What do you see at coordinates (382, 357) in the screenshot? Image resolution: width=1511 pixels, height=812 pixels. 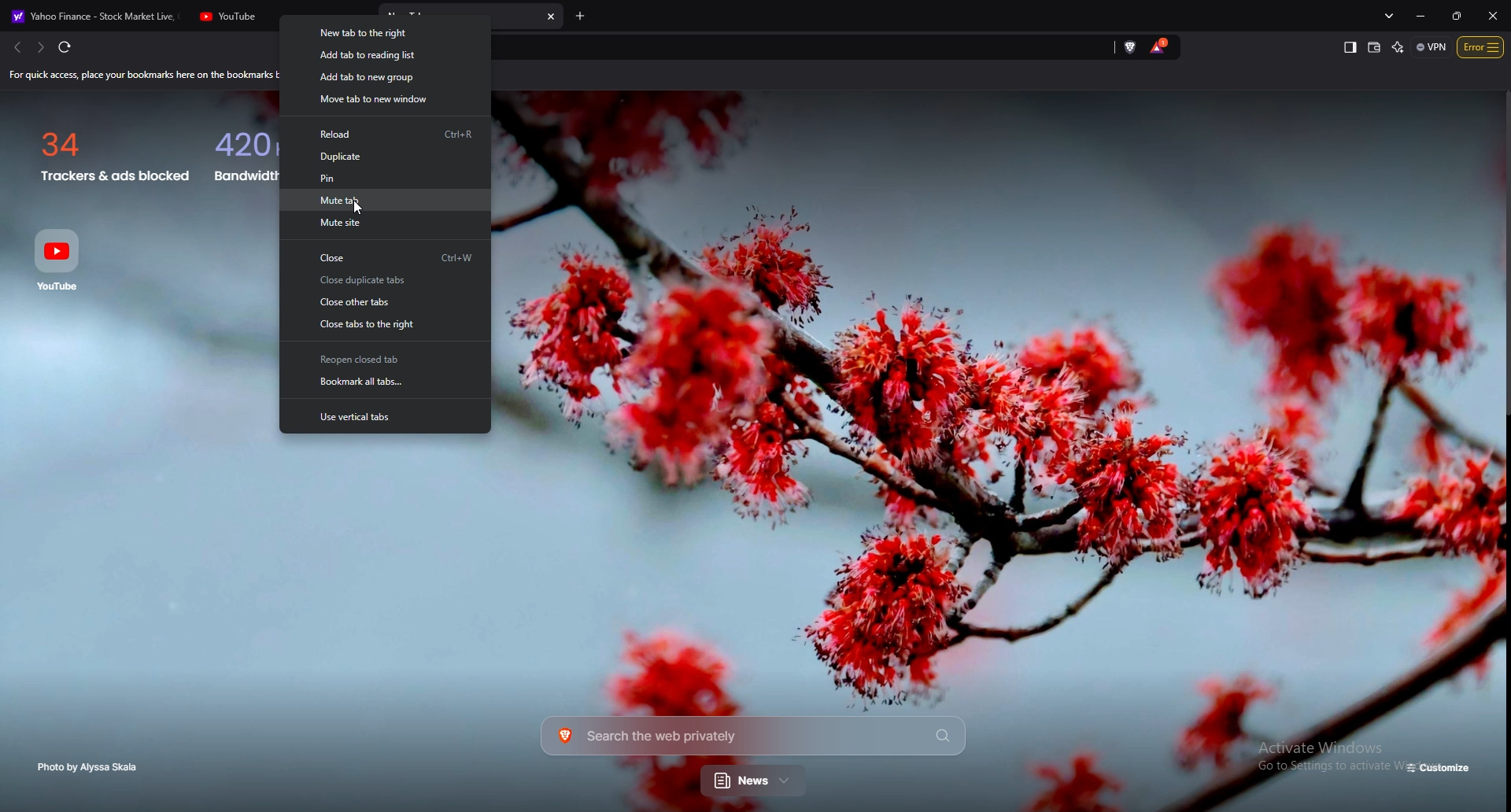 I see `reopen closed tabs` at bounding box center [382, 357].